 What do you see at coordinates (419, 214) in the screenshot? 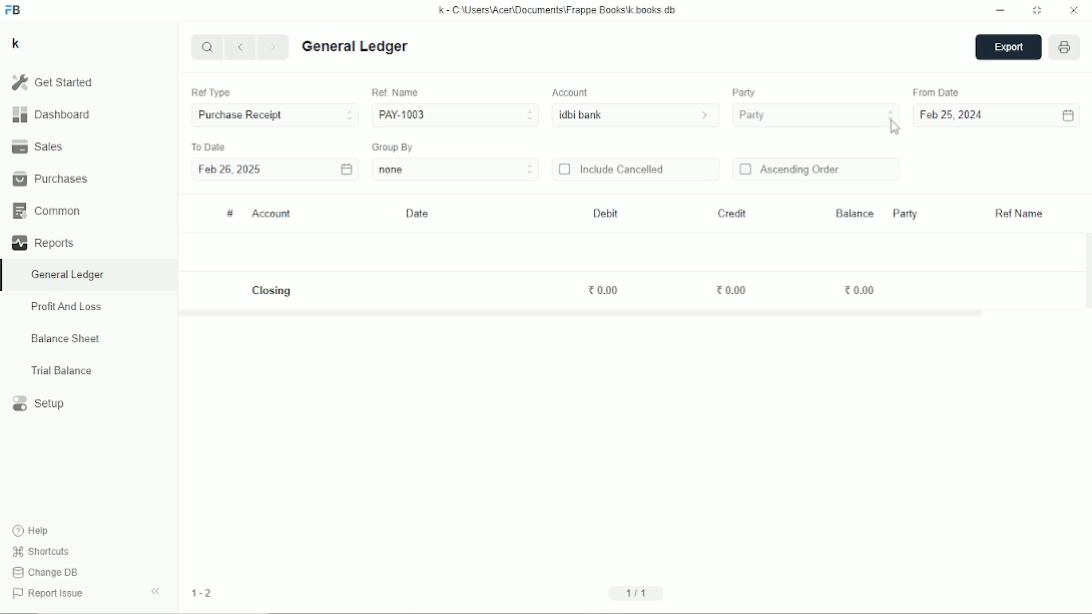
I see `Date` at bounding box center [419, 214].